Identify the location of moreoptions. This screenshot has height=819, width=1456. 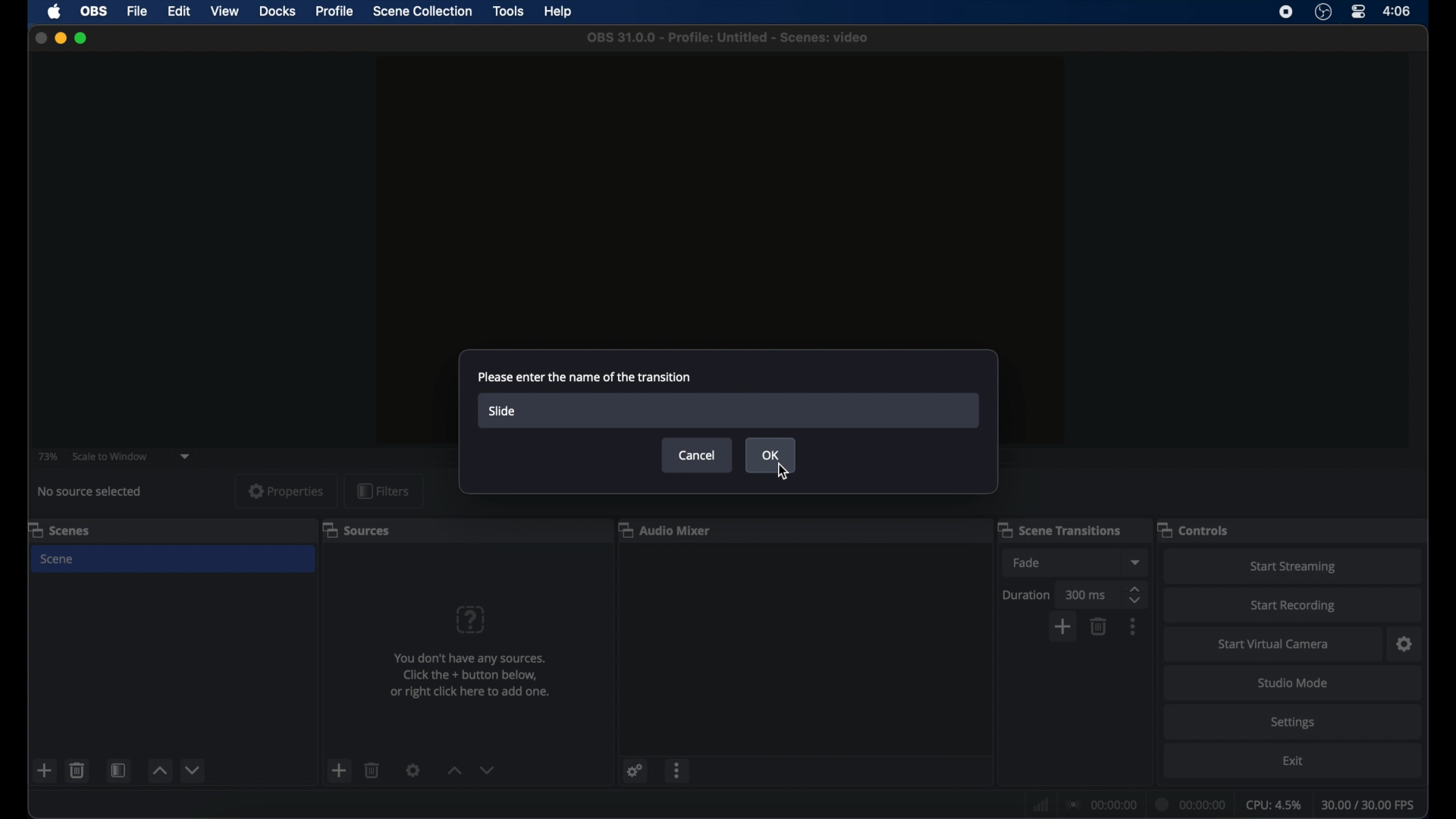
(1134, 626).